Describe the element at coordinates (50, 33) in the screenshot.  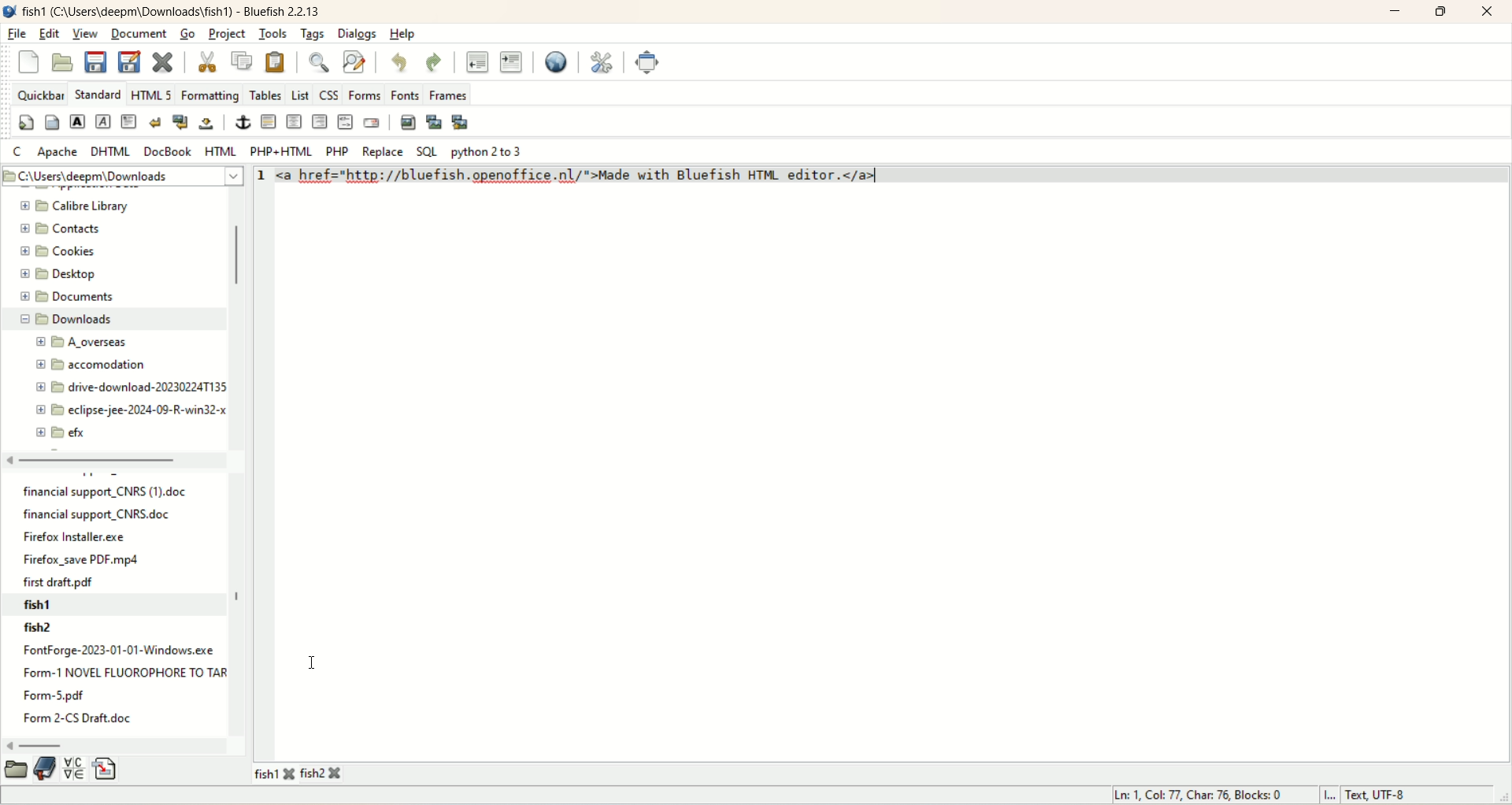
I see `edit` at that location.